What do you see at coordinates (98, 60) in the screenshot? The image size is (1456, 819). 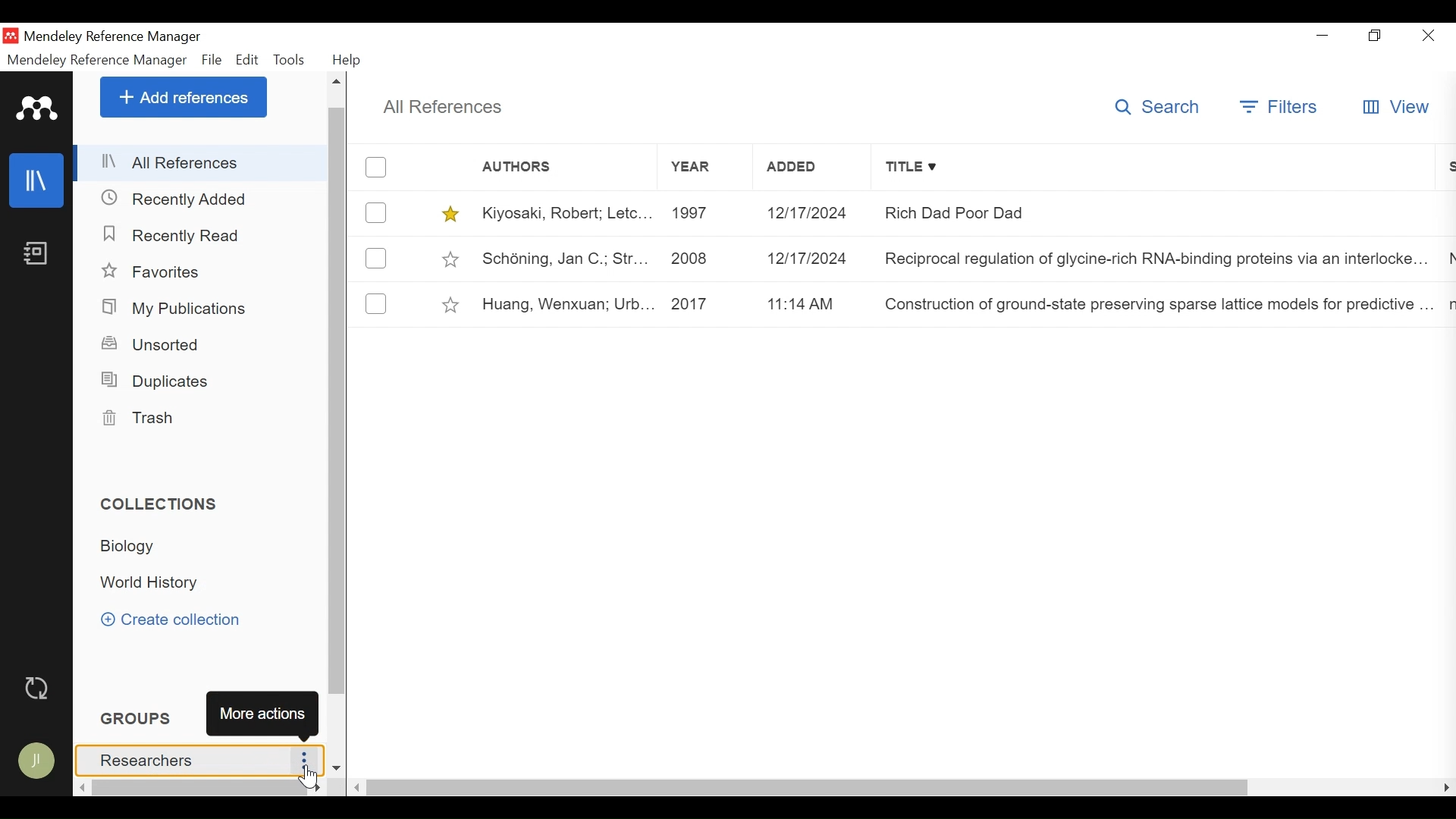 I see `Mendeley Reference Manager` at bounding box center [98, 60].